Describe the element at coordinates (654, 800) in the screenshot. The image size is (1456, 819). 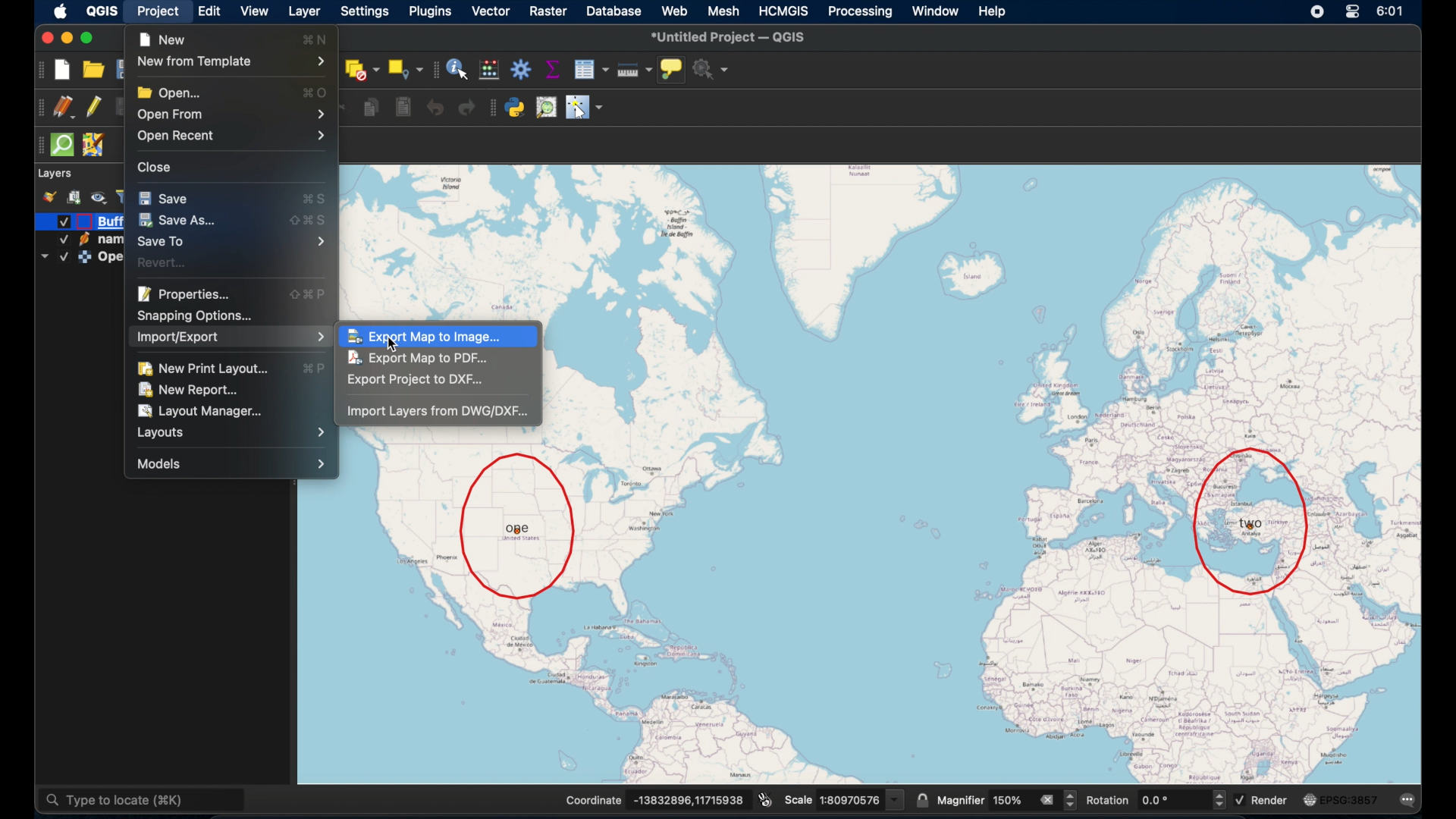
I see `Coordinate -13832896,11715938` at that location.